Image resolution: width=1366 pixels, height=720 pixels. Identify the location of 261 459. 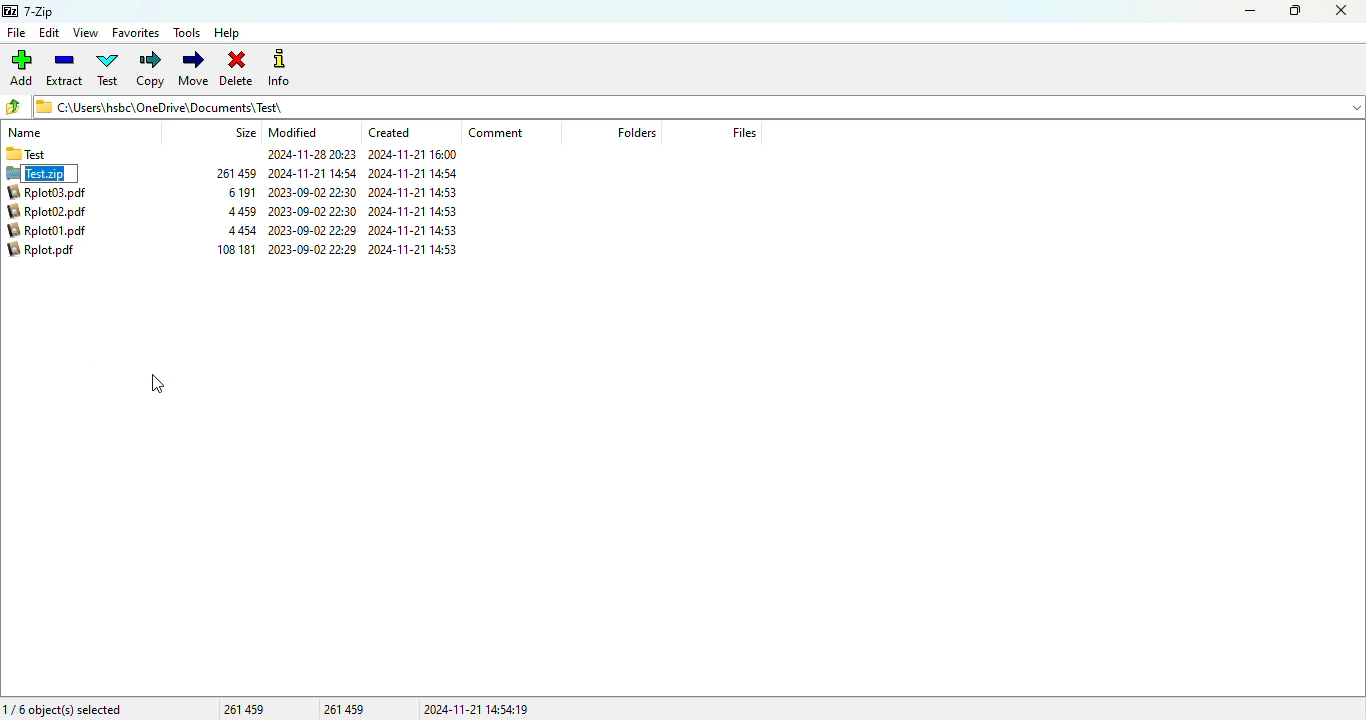
(346, 708).